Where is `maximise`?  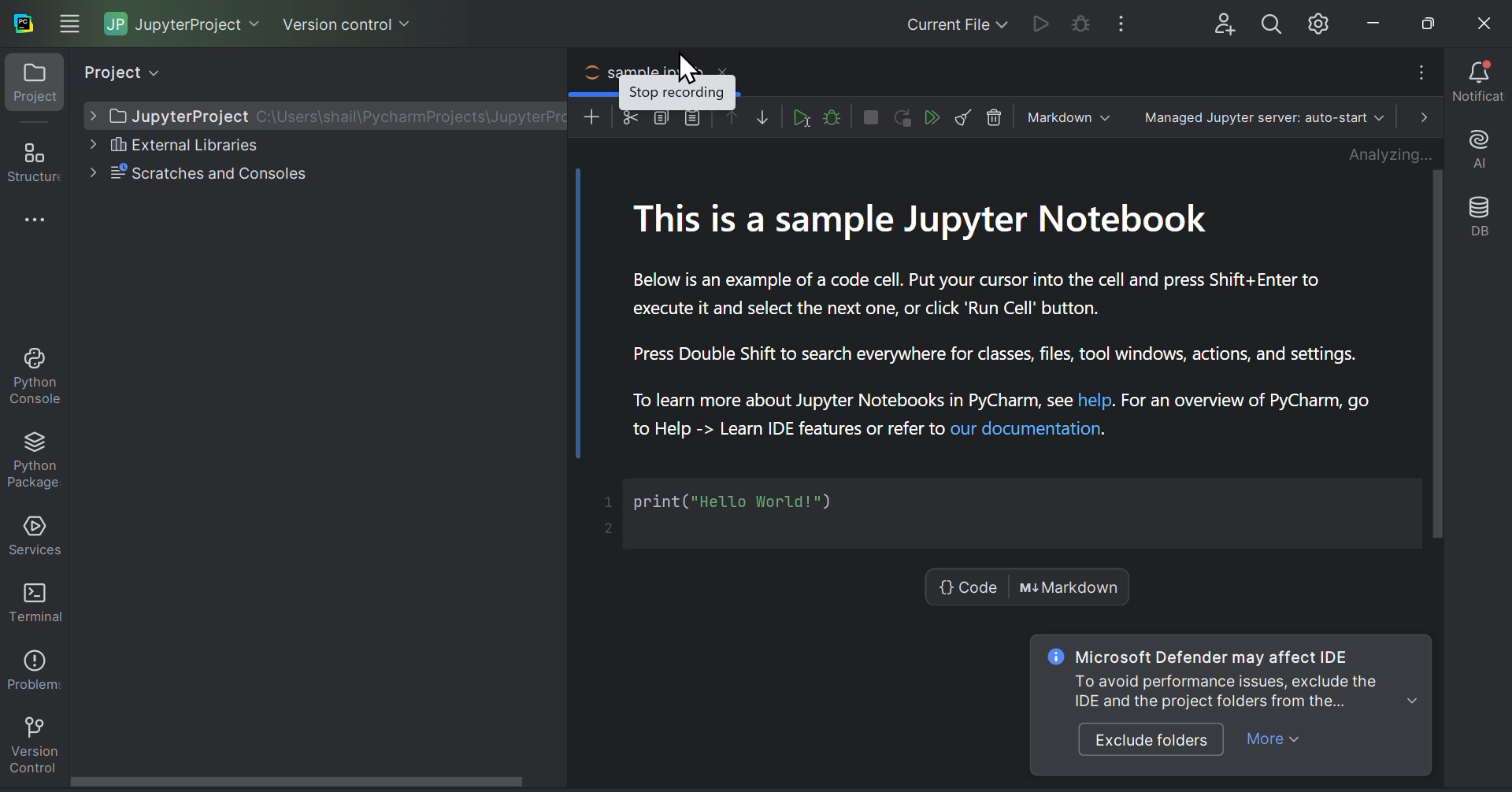 maximise is located at coordinates (1421, 20).